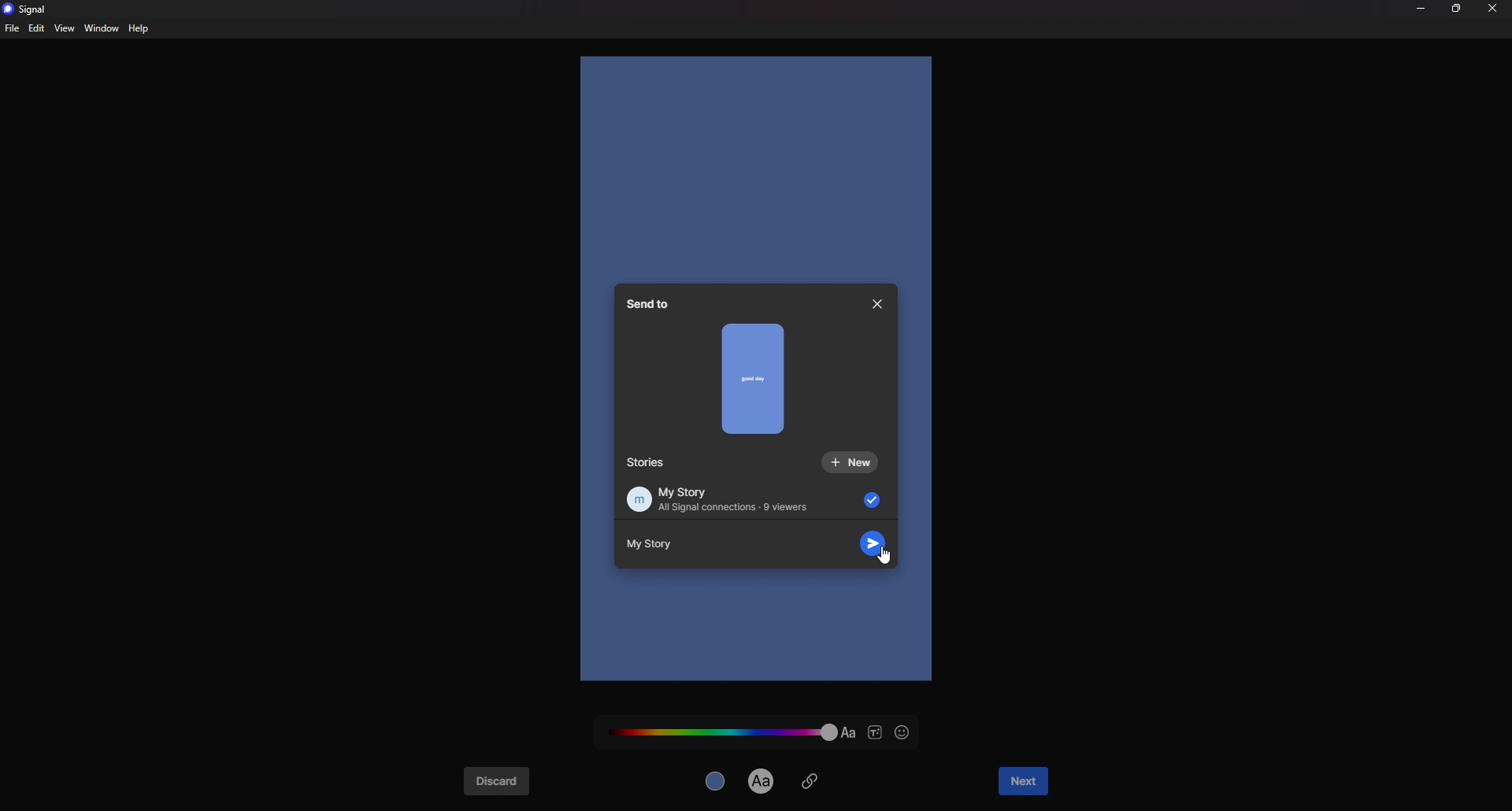 Image resolution: width=1512 pixels, height=811 pixels. What do you see at coordinates (101, 29) in the screenshot?
I see `window` at bounding box center [101, 29].